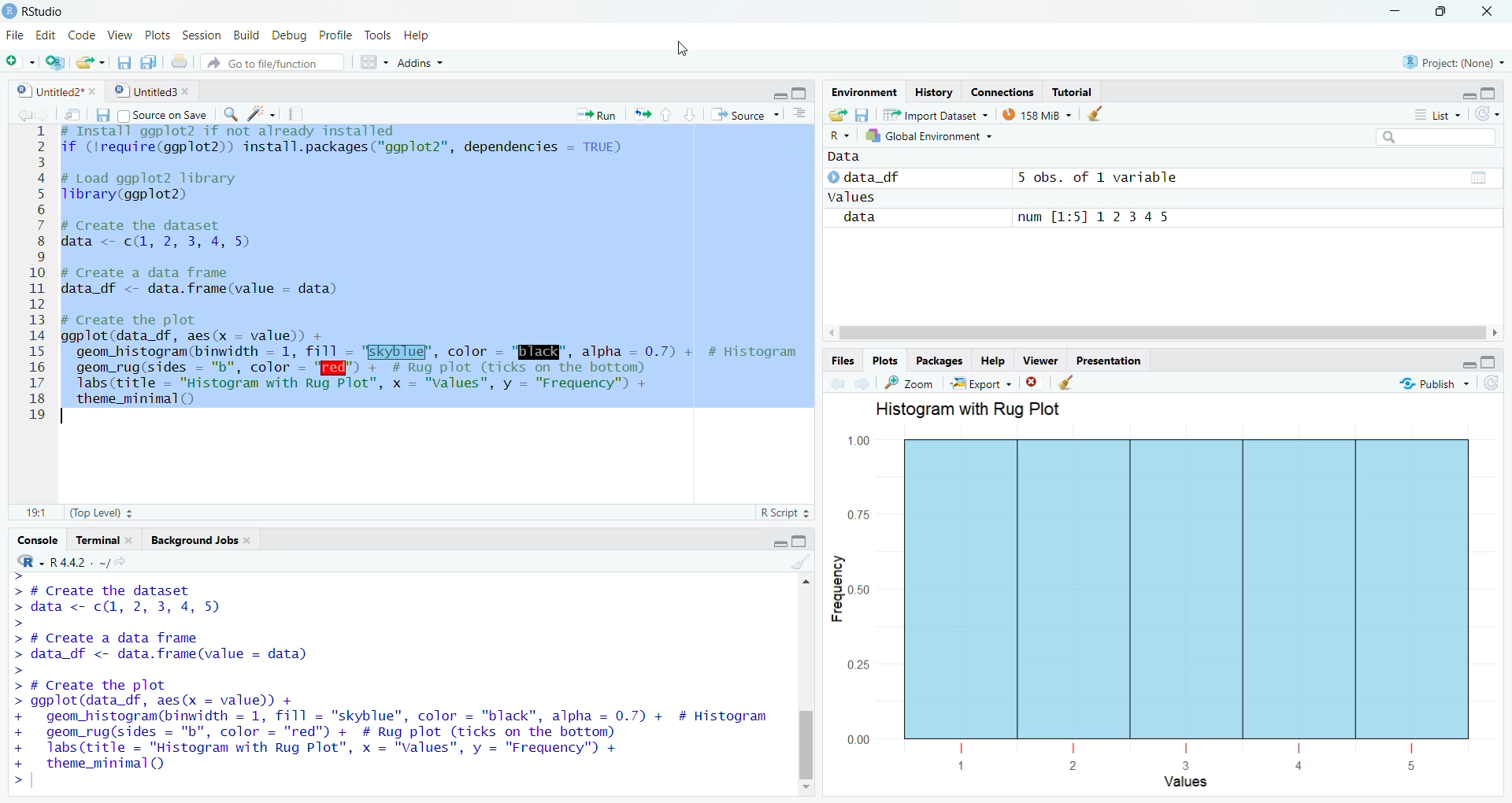 Image resolution: width=1512 pixels, height=803 pixels. Describe the element at coordinates (1157, 175) in the screenshot. I see `© data_df 5 obs. of 1 variable` at that location.